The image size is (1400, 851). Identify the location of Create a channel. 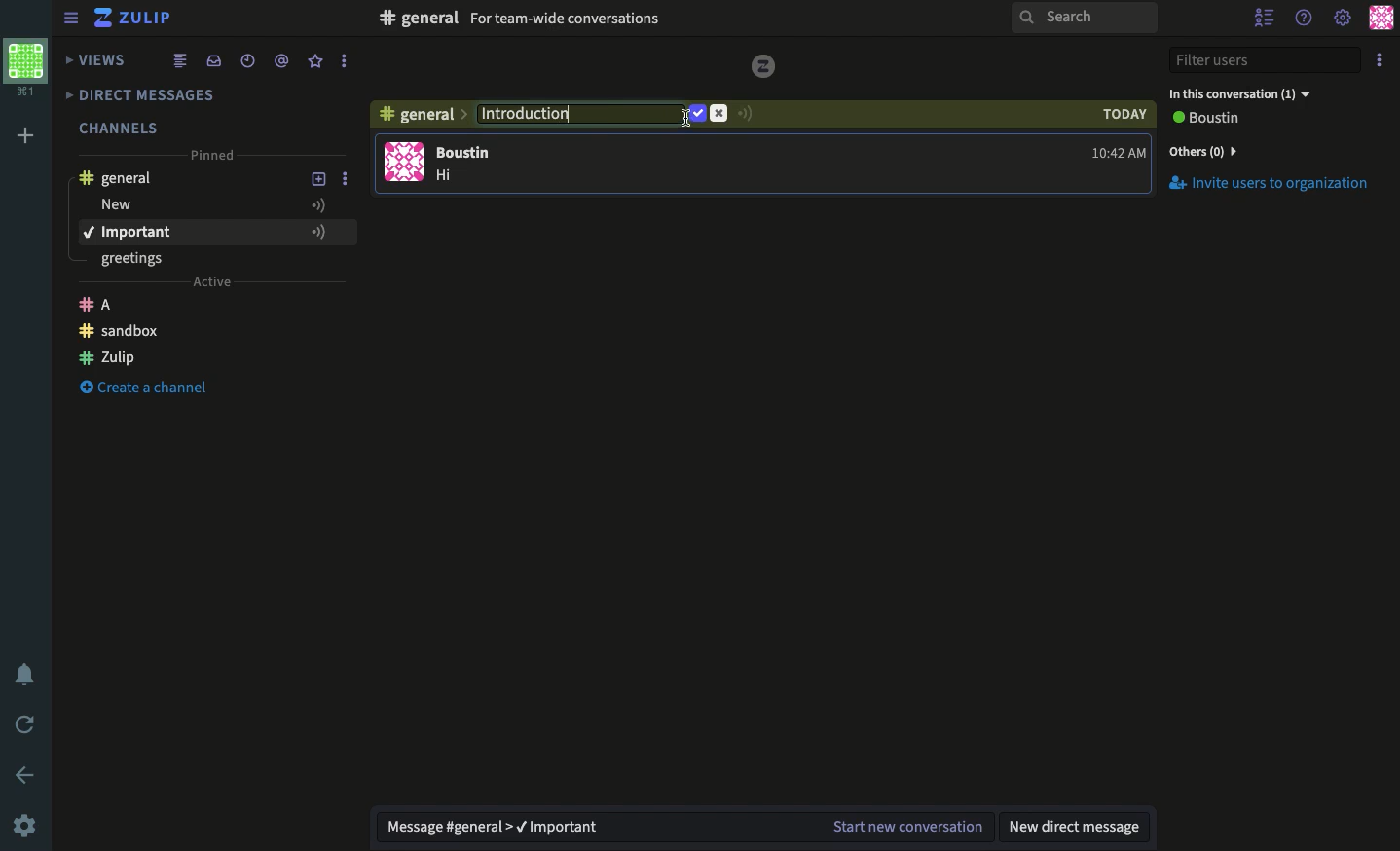
(144, 333).